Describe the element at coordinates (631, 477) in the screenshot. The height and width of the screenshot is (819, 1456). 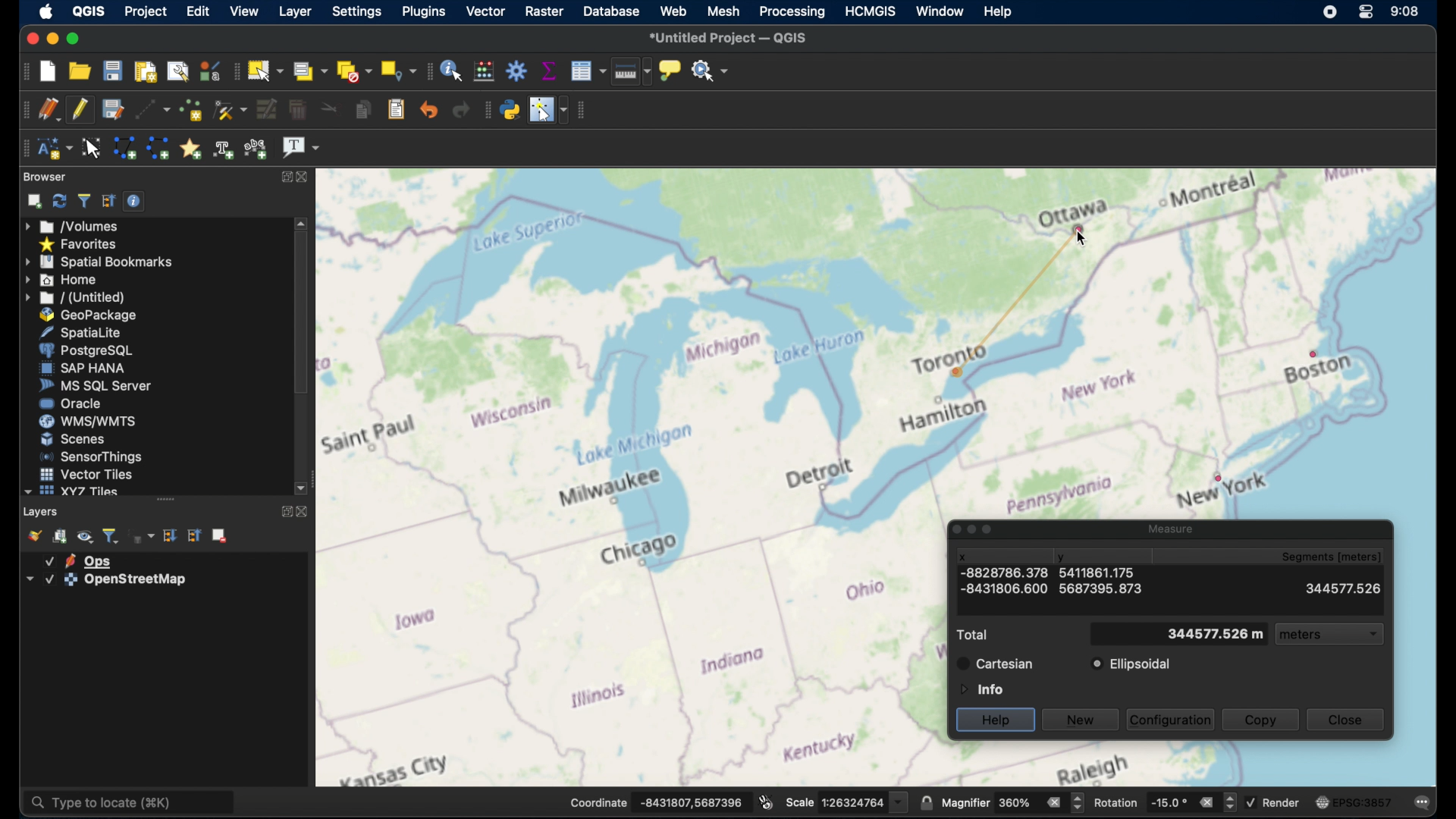
I see `open street map` at that location.